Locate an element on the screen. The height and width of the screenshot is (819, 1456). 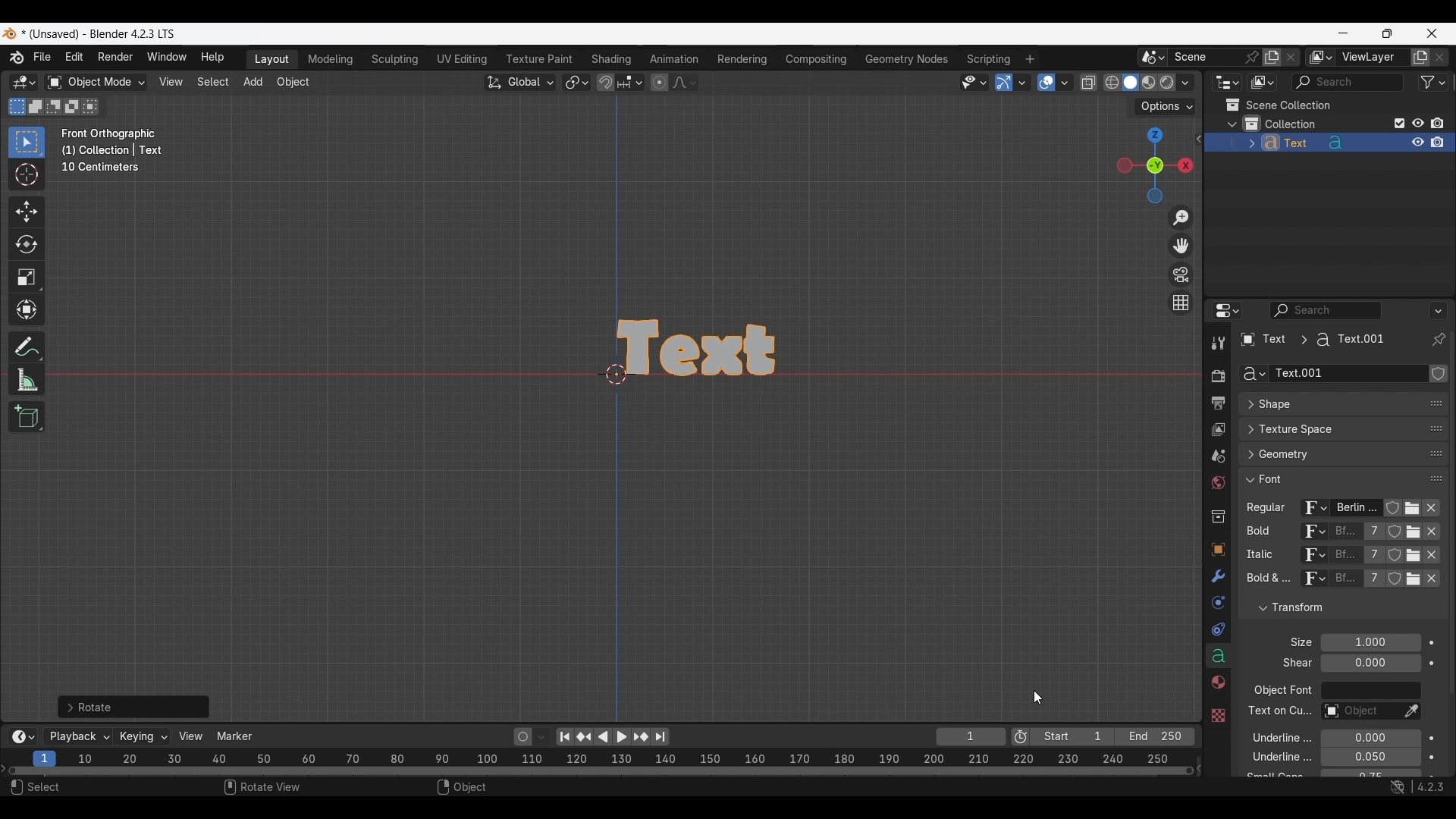
Jump to key frame is located at coordinates (641, 737).